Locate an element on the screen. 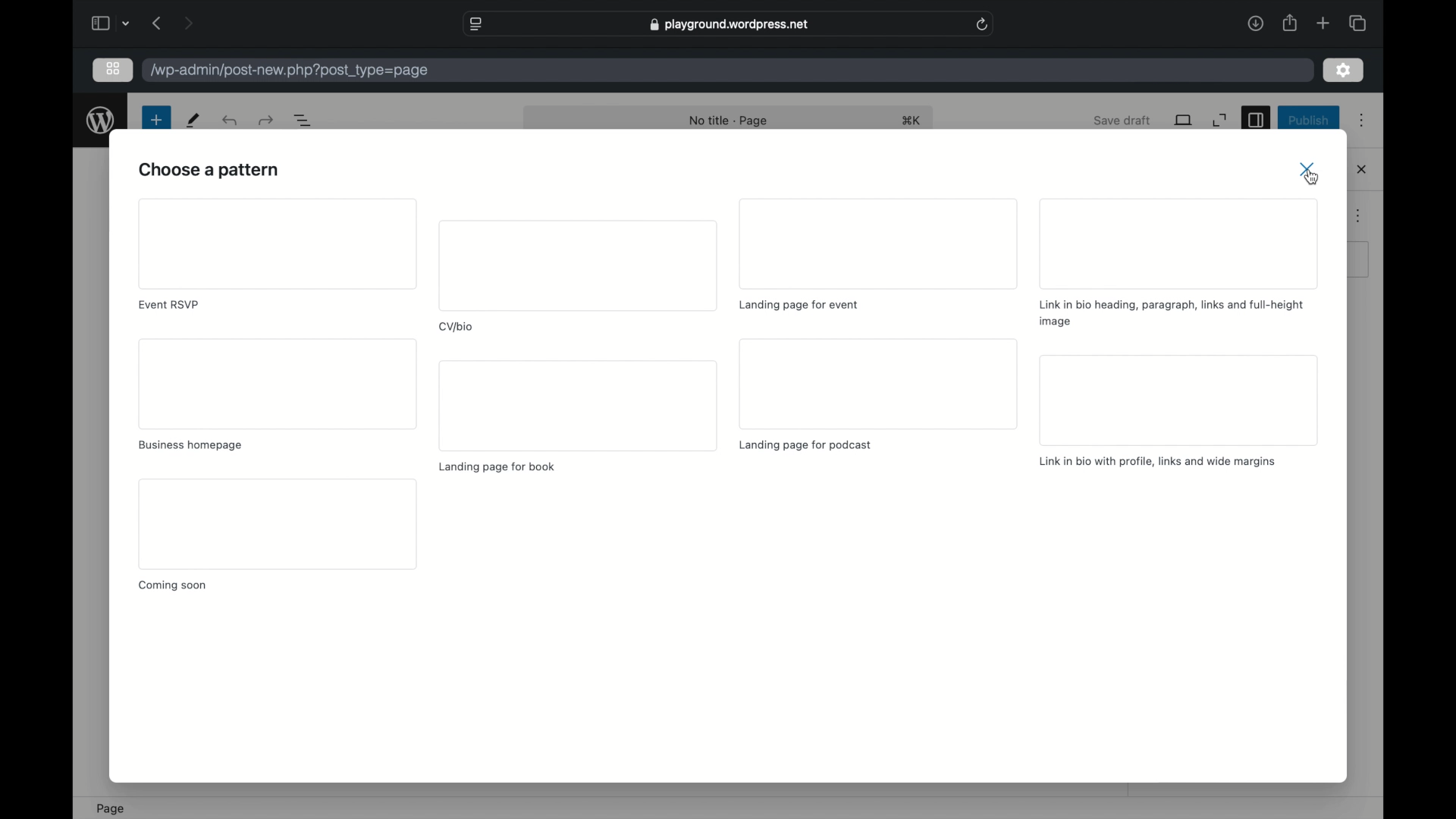 This screenshot has height=819, width=1456. close is located at coordinates (1313, 180).